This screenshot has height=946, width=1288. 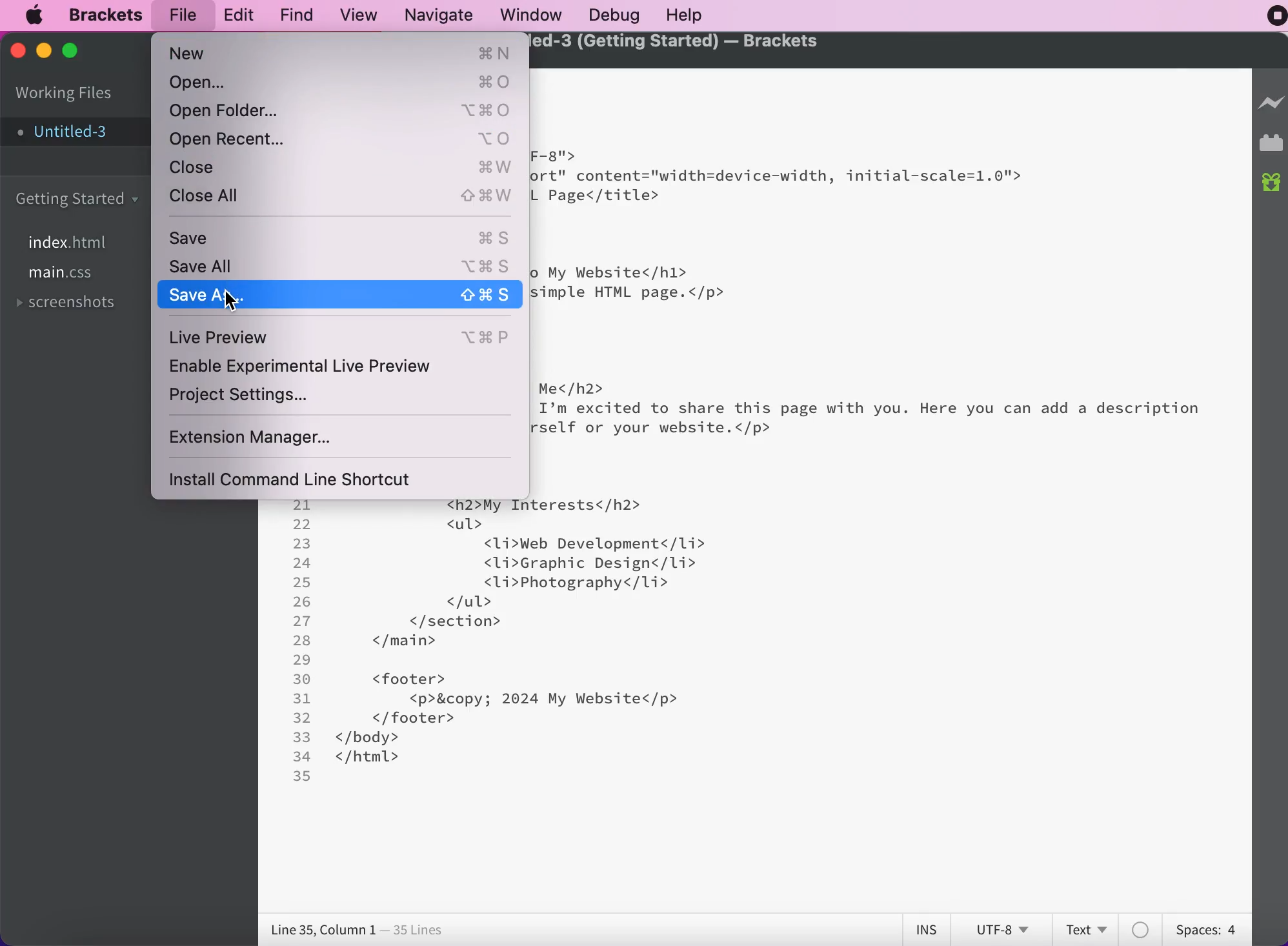 I want to click on close all, so click(x=345, y=197).